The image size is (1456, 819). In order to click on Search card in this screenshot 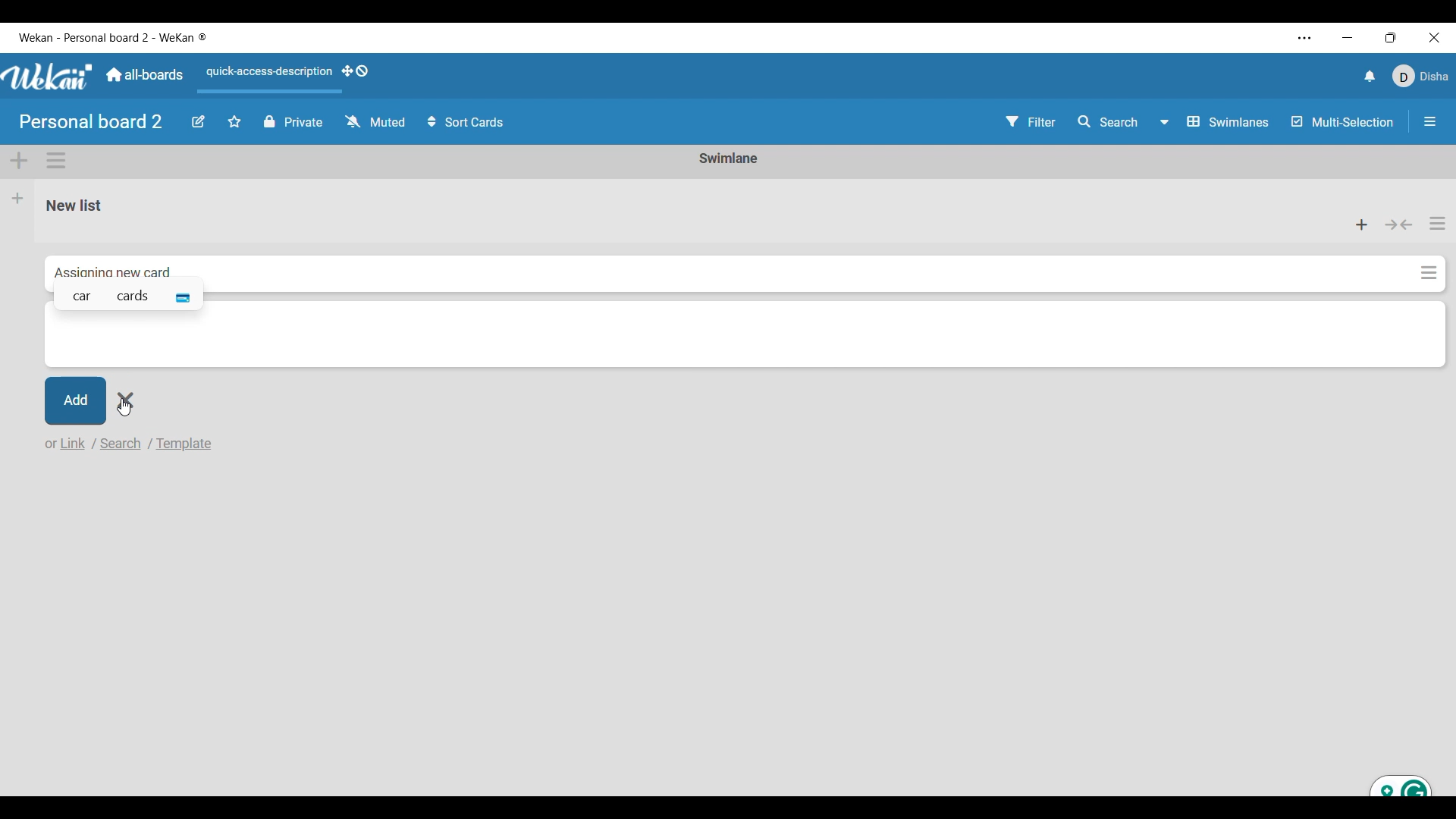, I will do `click(121, 444)`.